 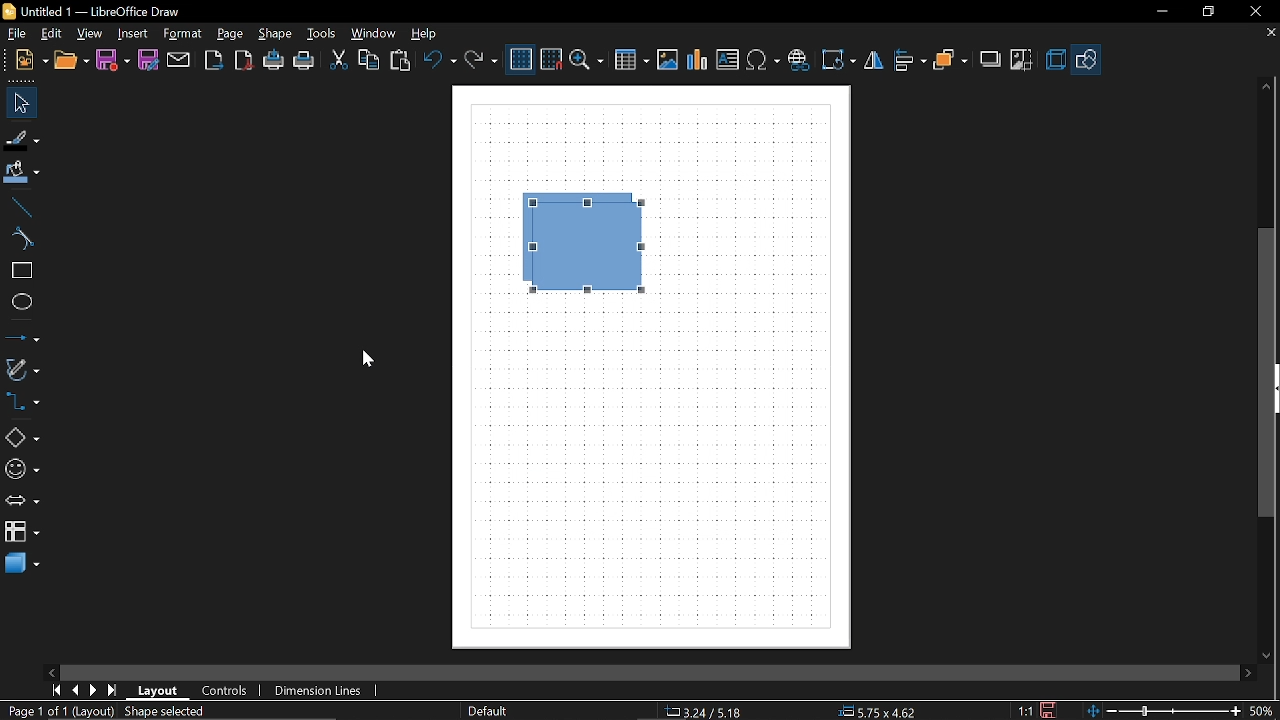 What do you see at coordinates (701, 712) in the screenshot?
I see `Co-ordinate` at bounding box center [701, 712].